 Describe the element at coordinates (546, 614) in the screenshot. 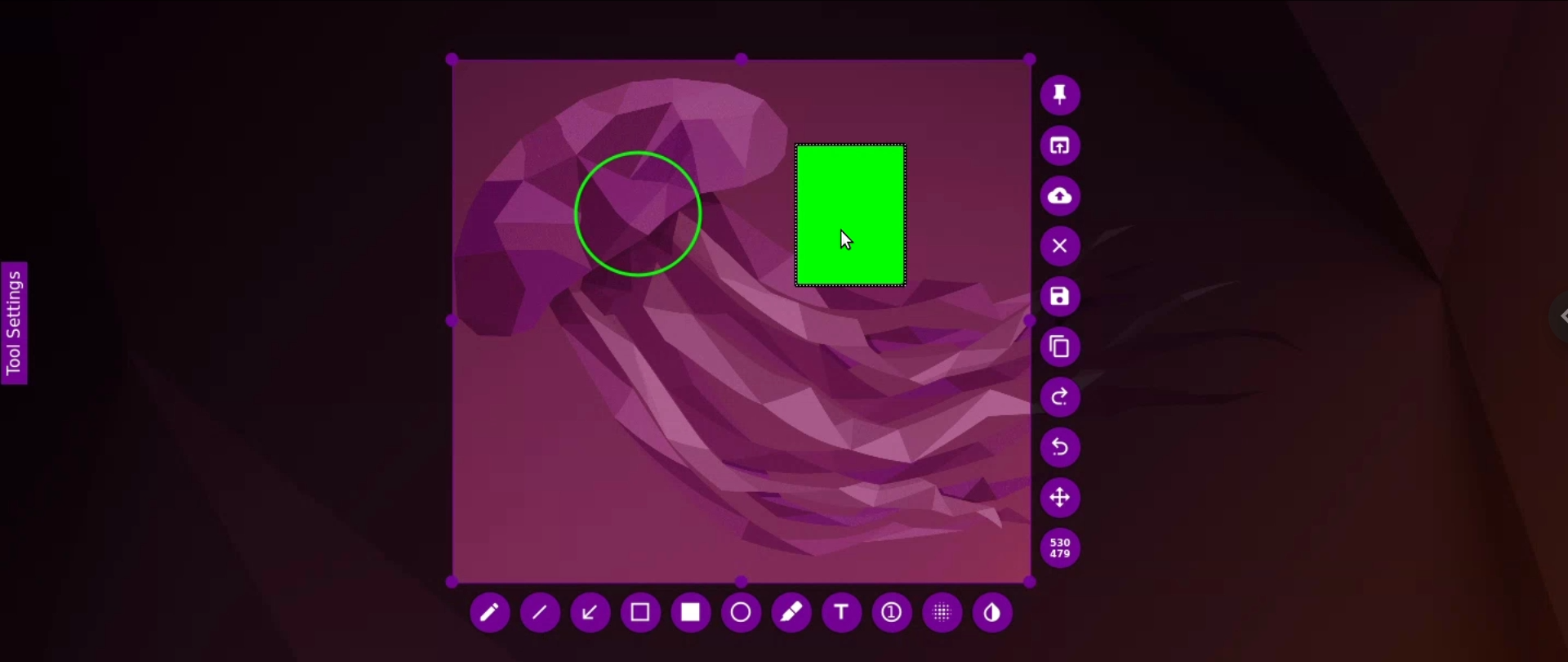

I see `line ` at that location.